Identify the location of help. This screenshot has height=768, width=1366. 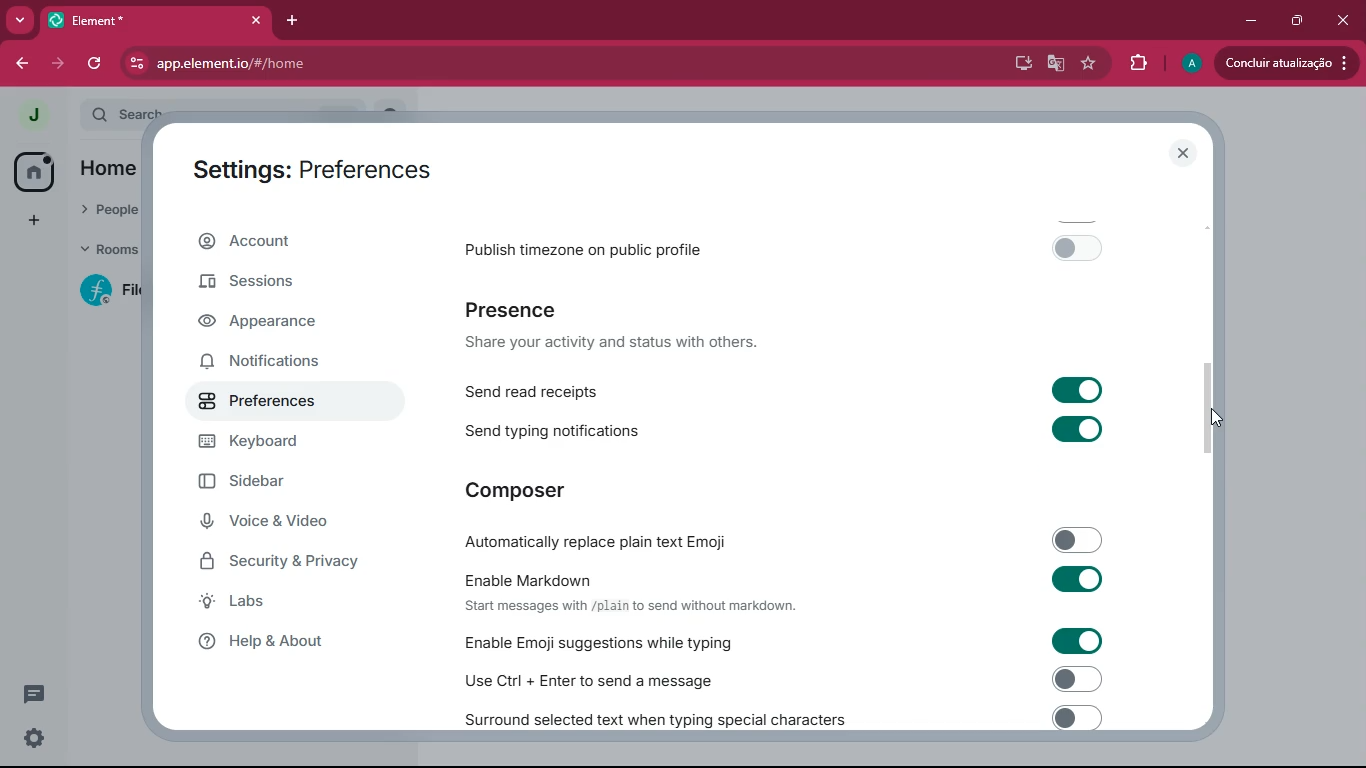
(281, 642).